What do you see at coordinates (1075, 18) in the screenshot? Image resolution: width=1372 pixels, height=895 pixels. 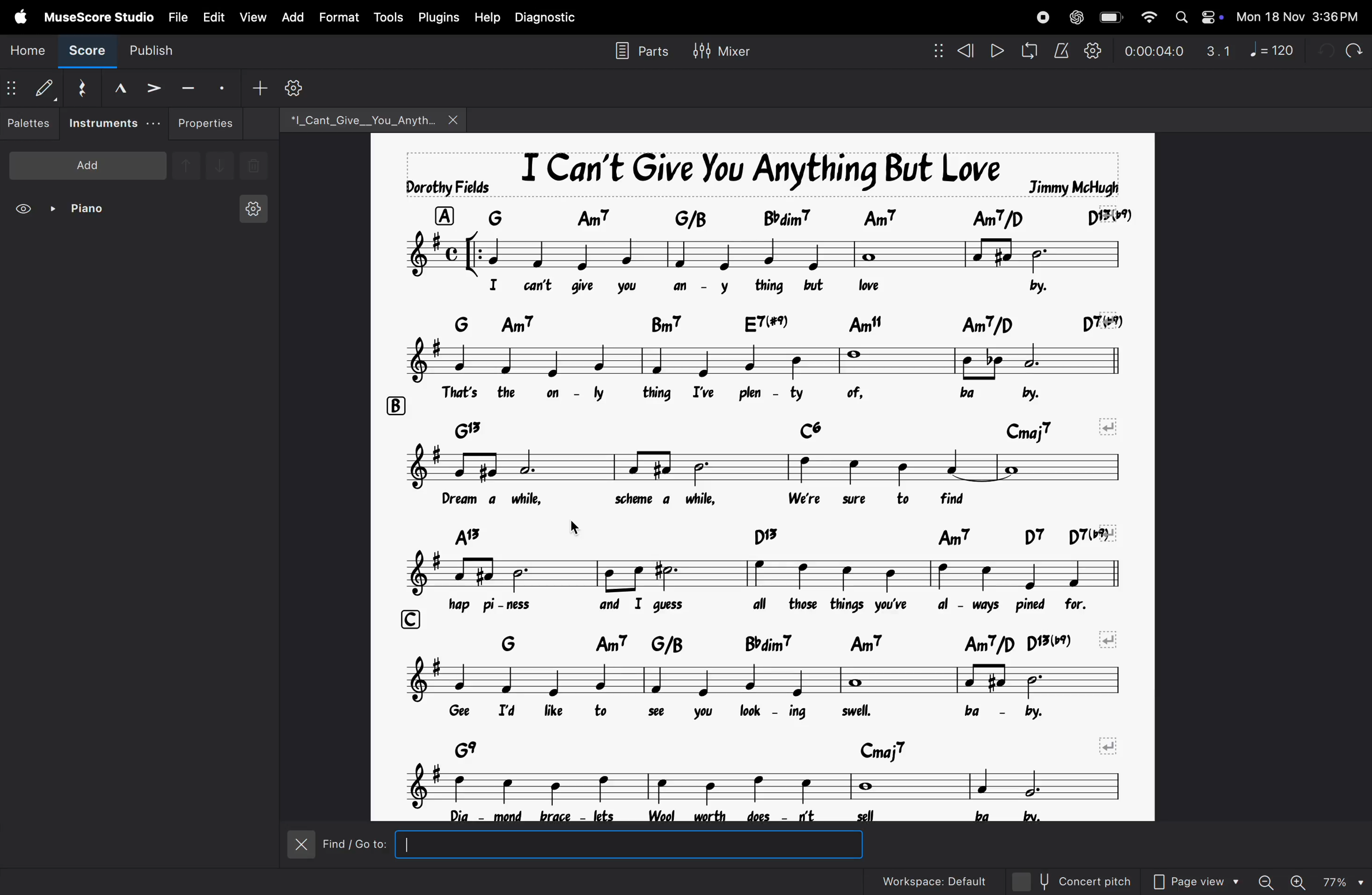 I see `chatgpt` at bounding box center [1075, 18].